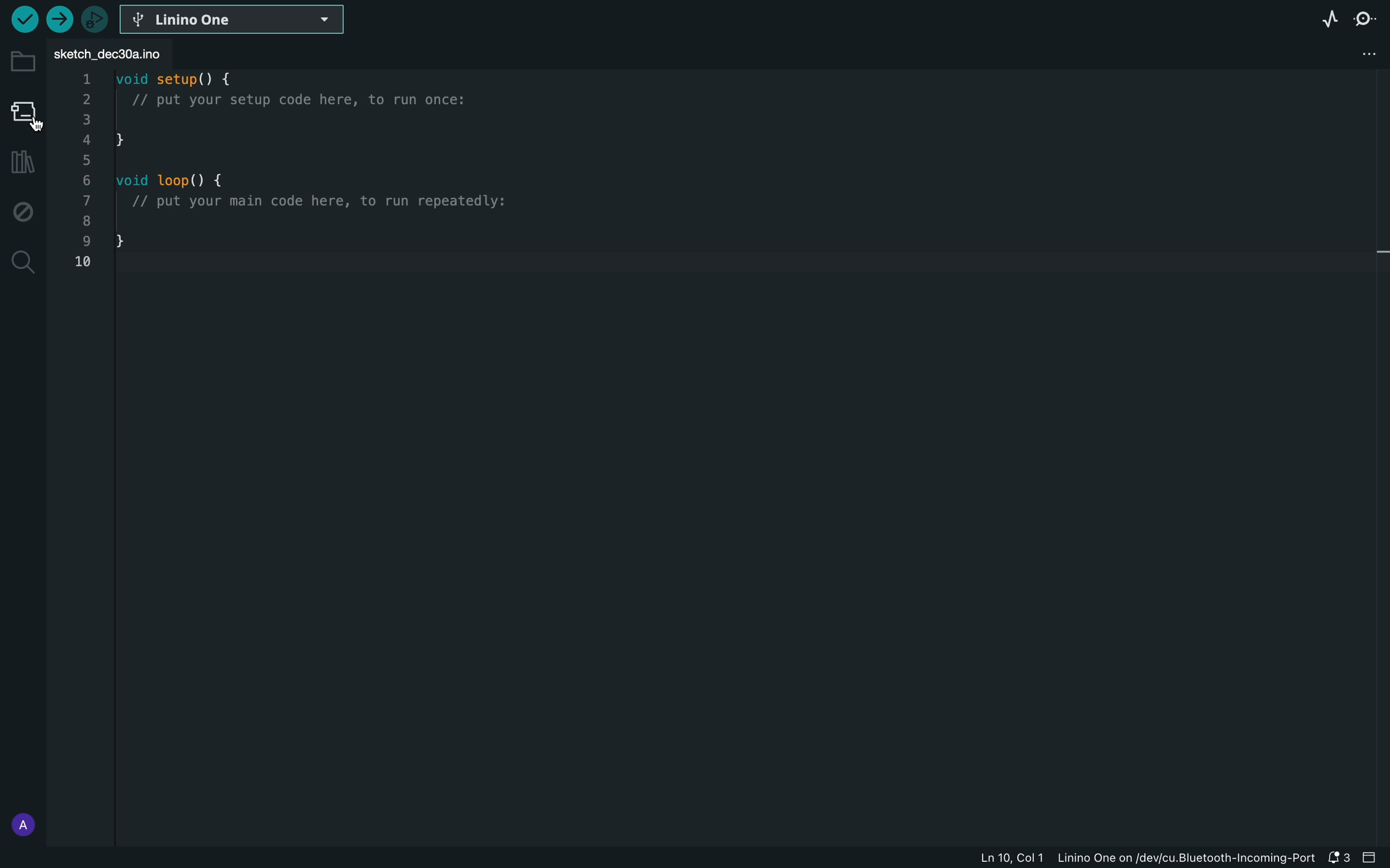  I want to click on verify, so click(24, 20).